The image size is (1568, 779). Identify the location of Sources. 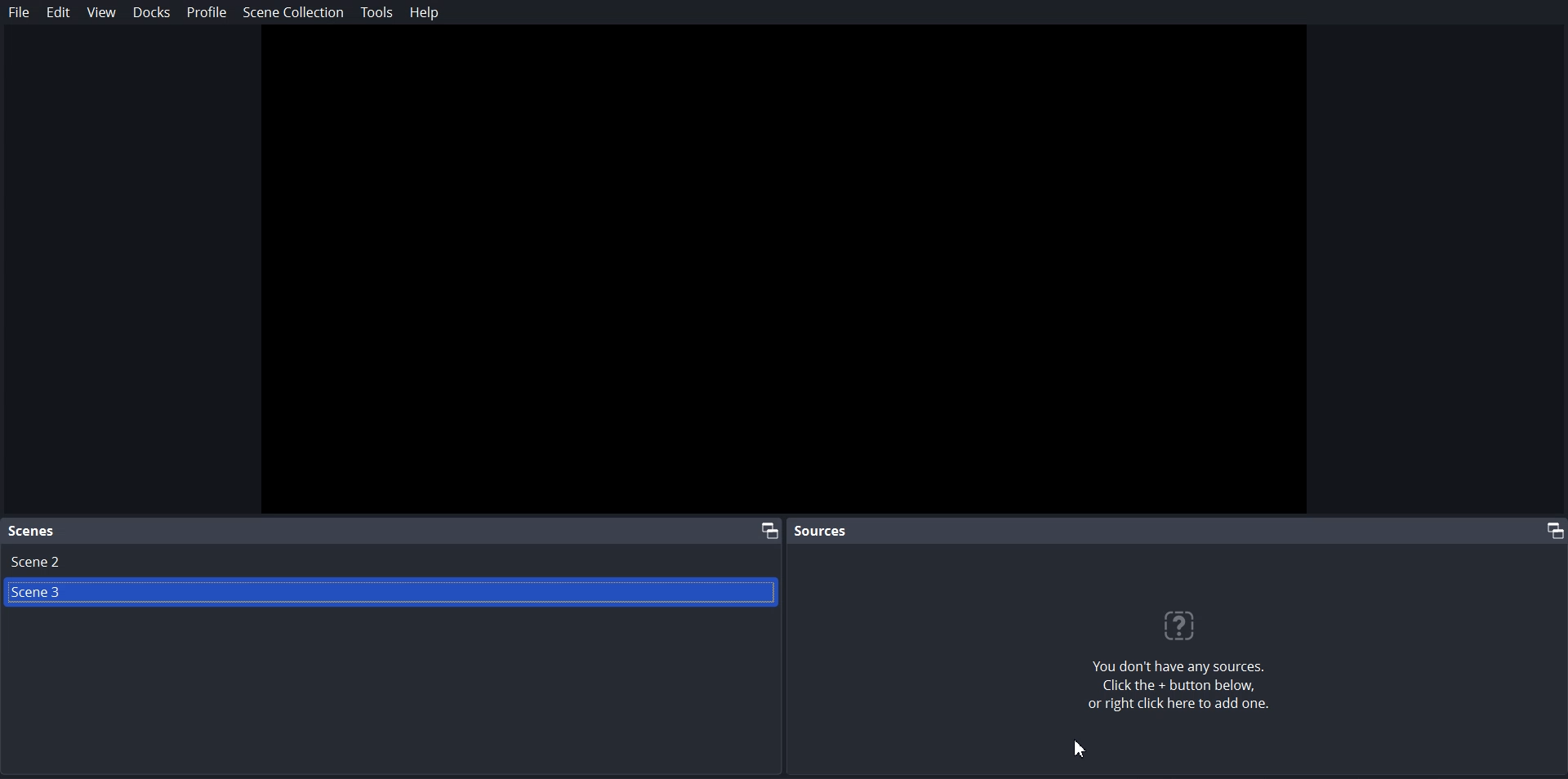
(823, 530).